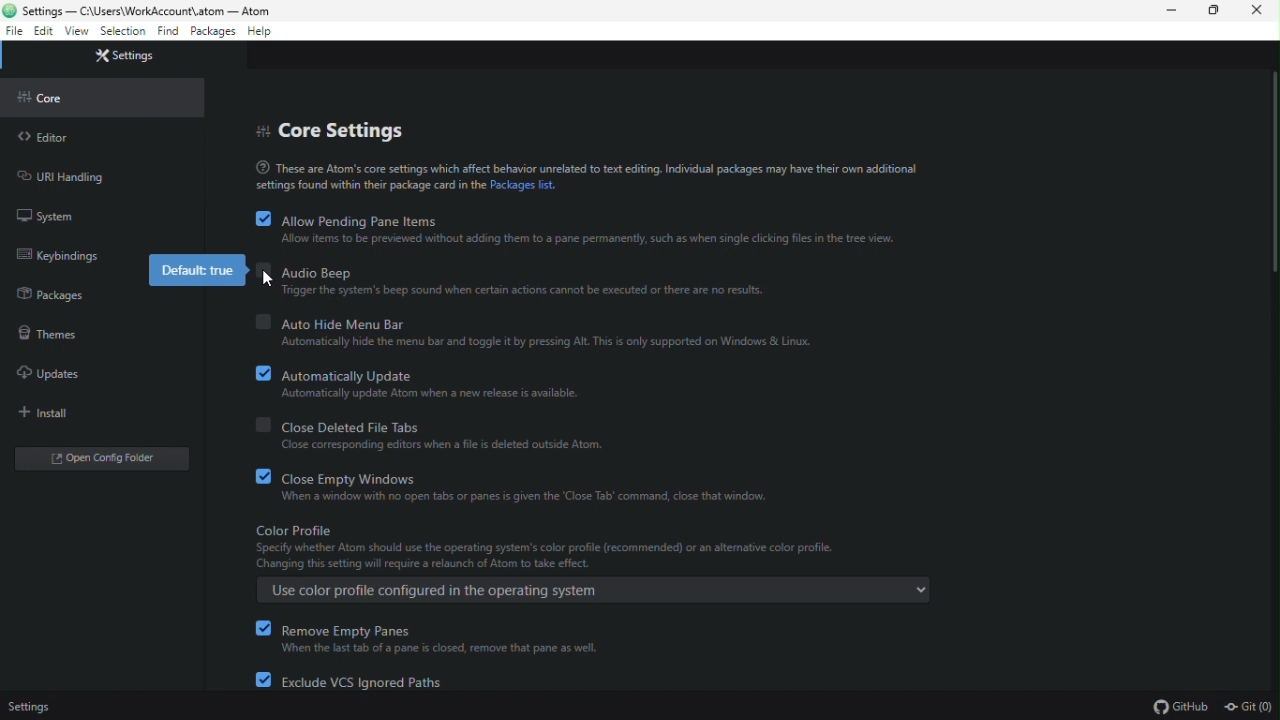 The height and width of the screenshot is (720, 1280). What do you see at coordinates (56, 377) in the screenshot?
I see `uploads` at bounding box center [56, 377].